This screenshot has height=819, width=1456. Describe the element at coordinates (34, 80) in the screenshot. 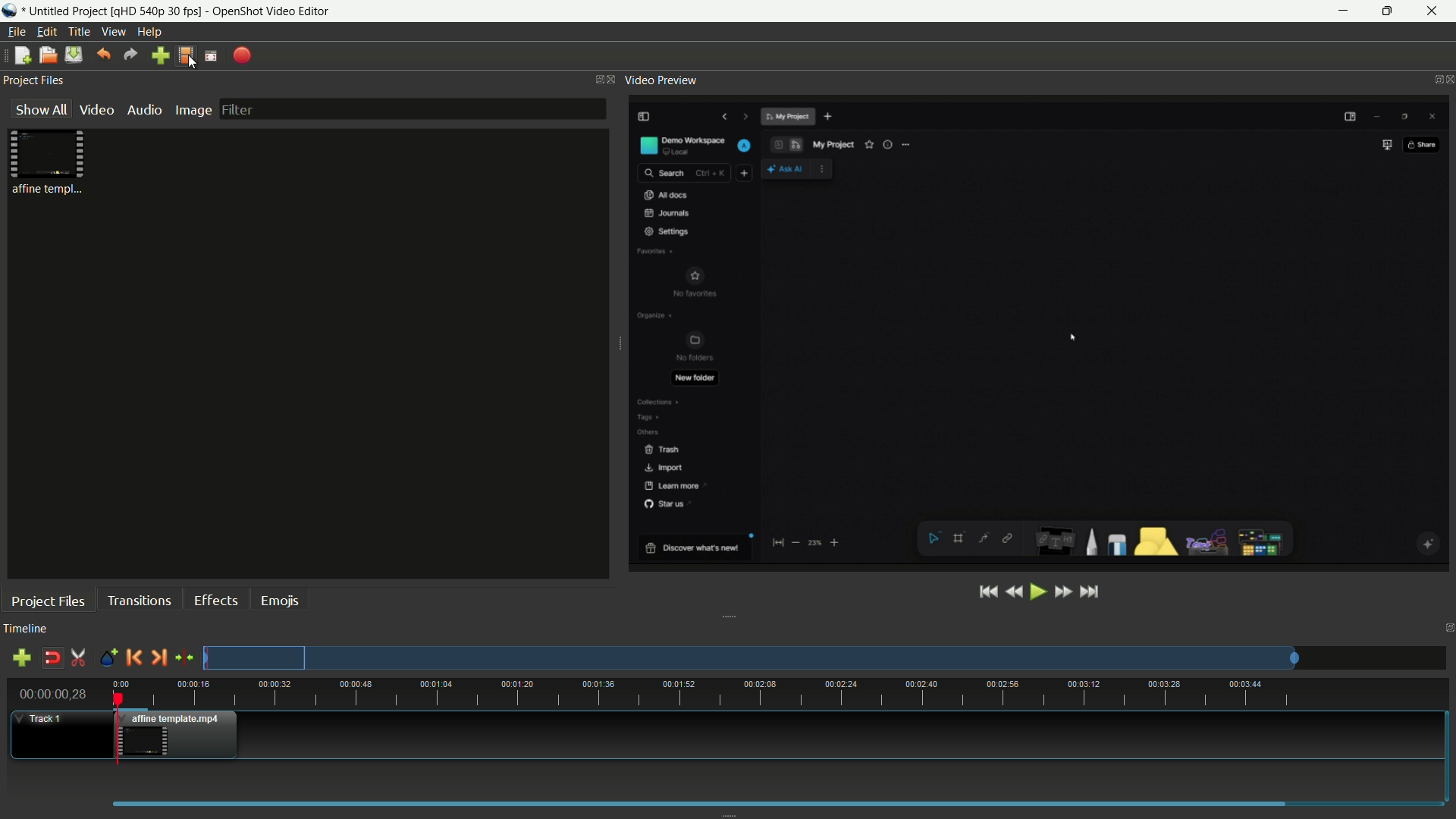

I see `project files` at that location.